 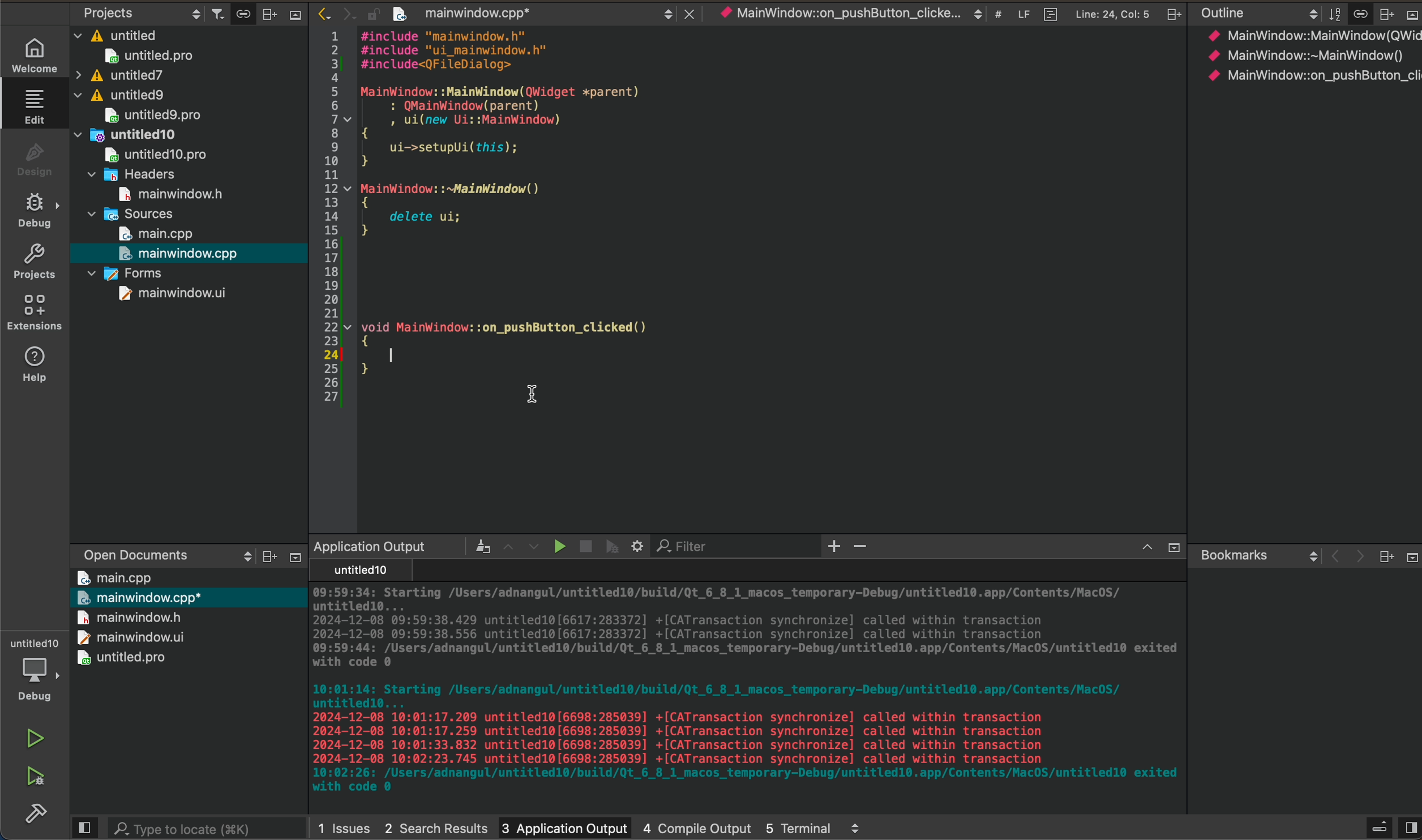 I want to click on debug, so click(x=613, y=546).